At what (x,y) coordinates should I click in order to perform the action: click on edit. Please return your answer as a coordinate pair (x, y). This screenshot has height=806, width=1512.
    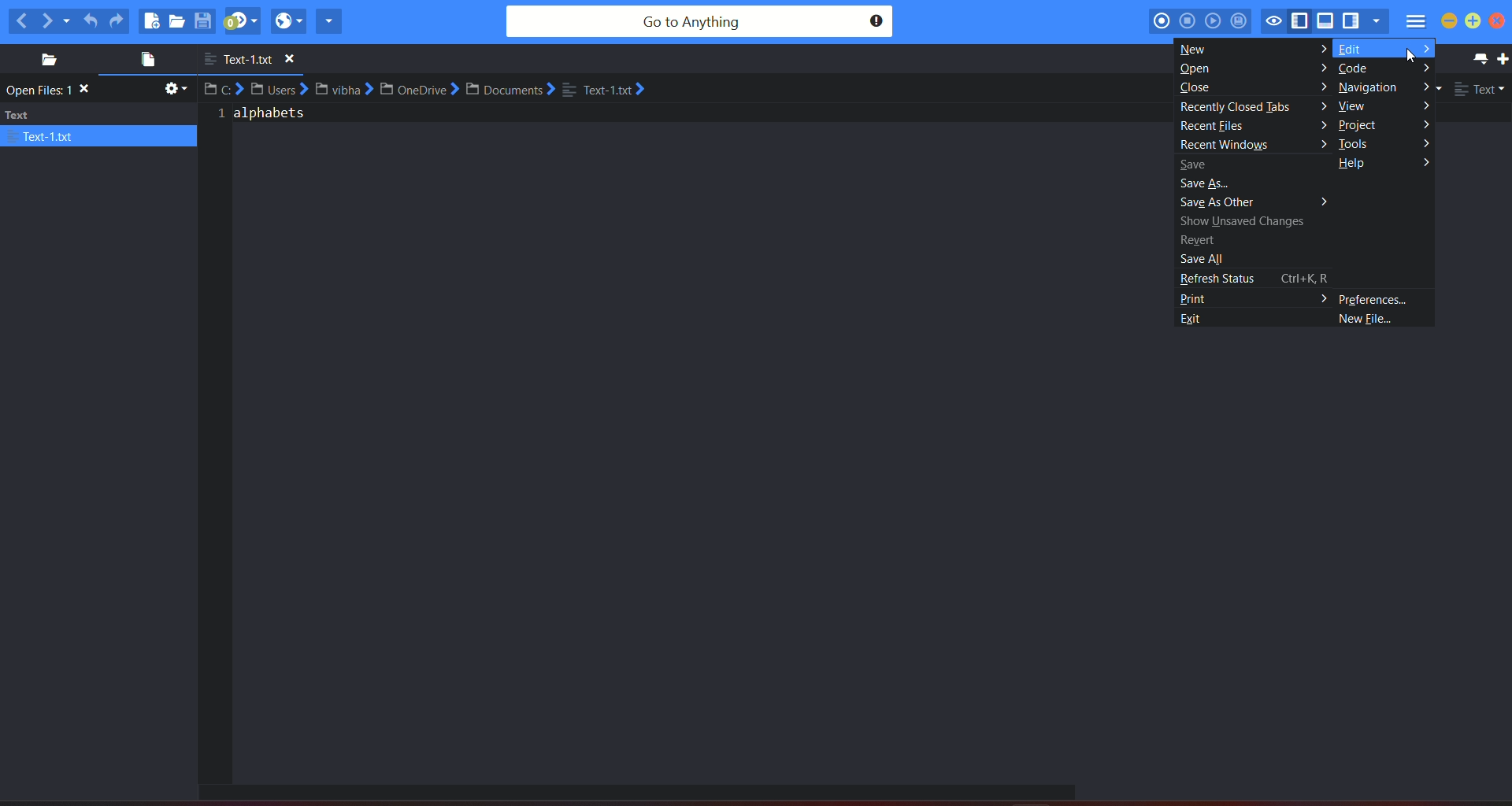
    Looking at the image, I should click on (1357, 48).